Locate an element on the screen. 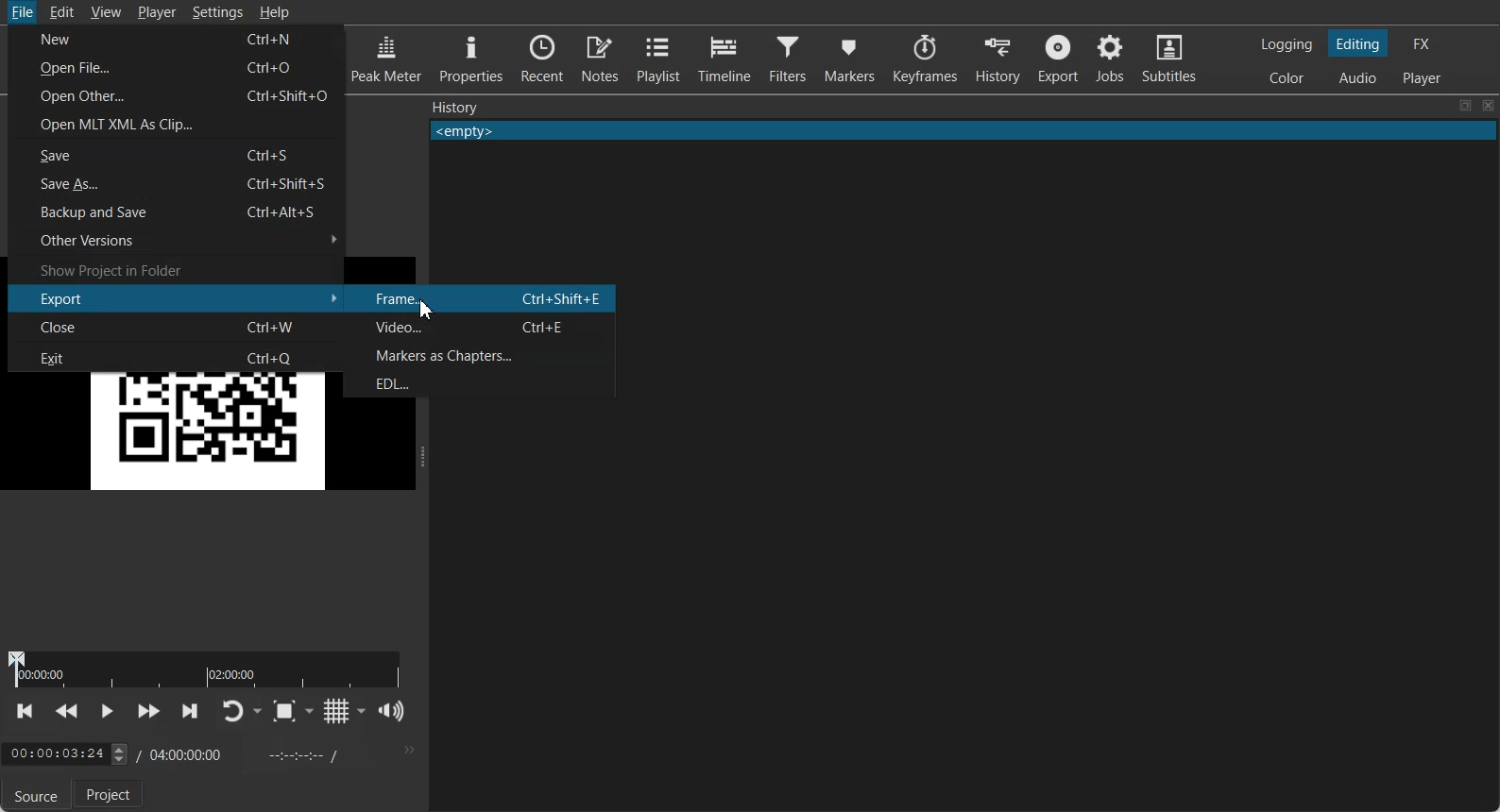 The height and width of the screenshot is (812, 1500). toggle buttons is located at coordinates (117, 755).